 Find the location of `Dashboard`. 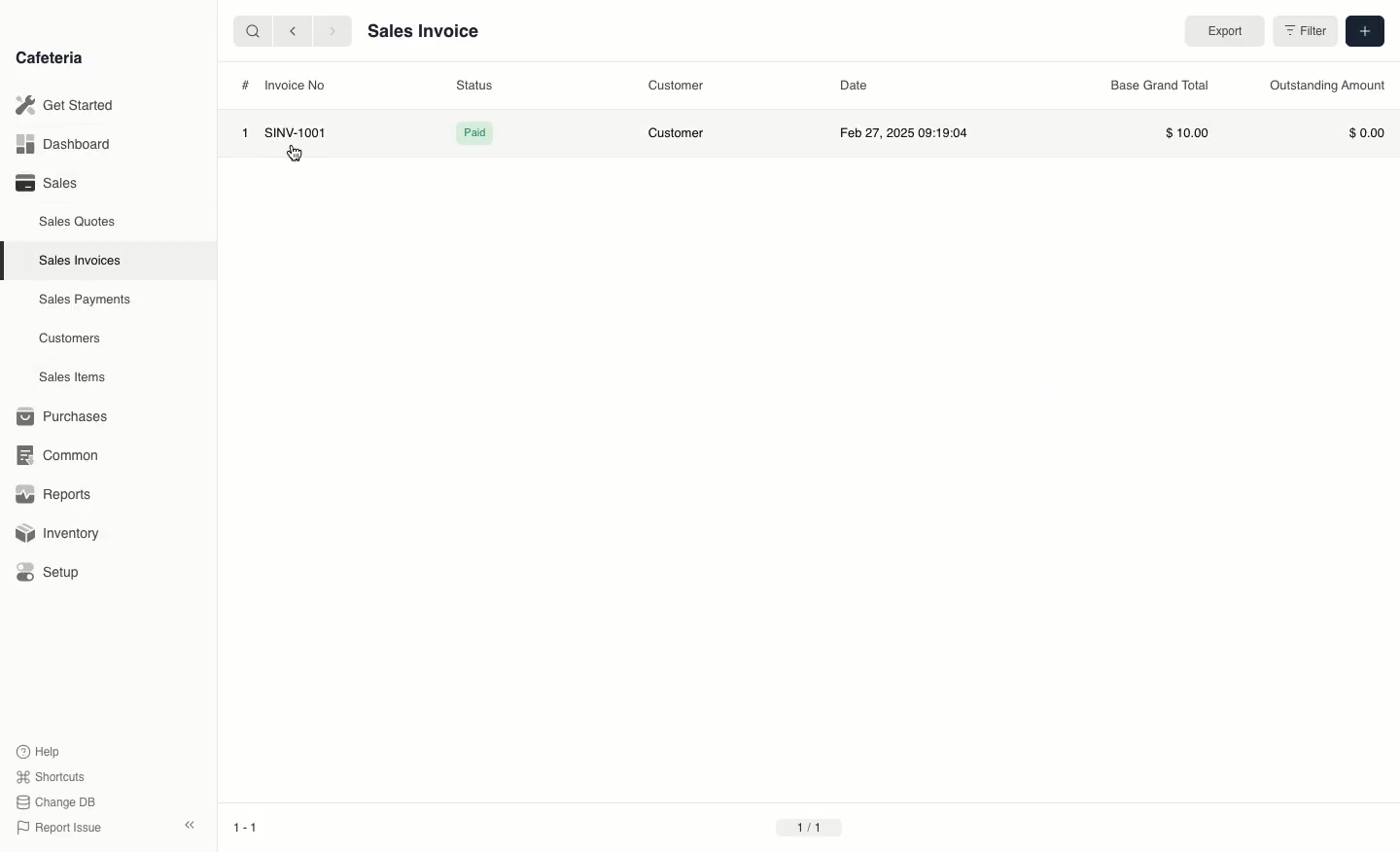

Dashboard is located at coordinates (63, 144).